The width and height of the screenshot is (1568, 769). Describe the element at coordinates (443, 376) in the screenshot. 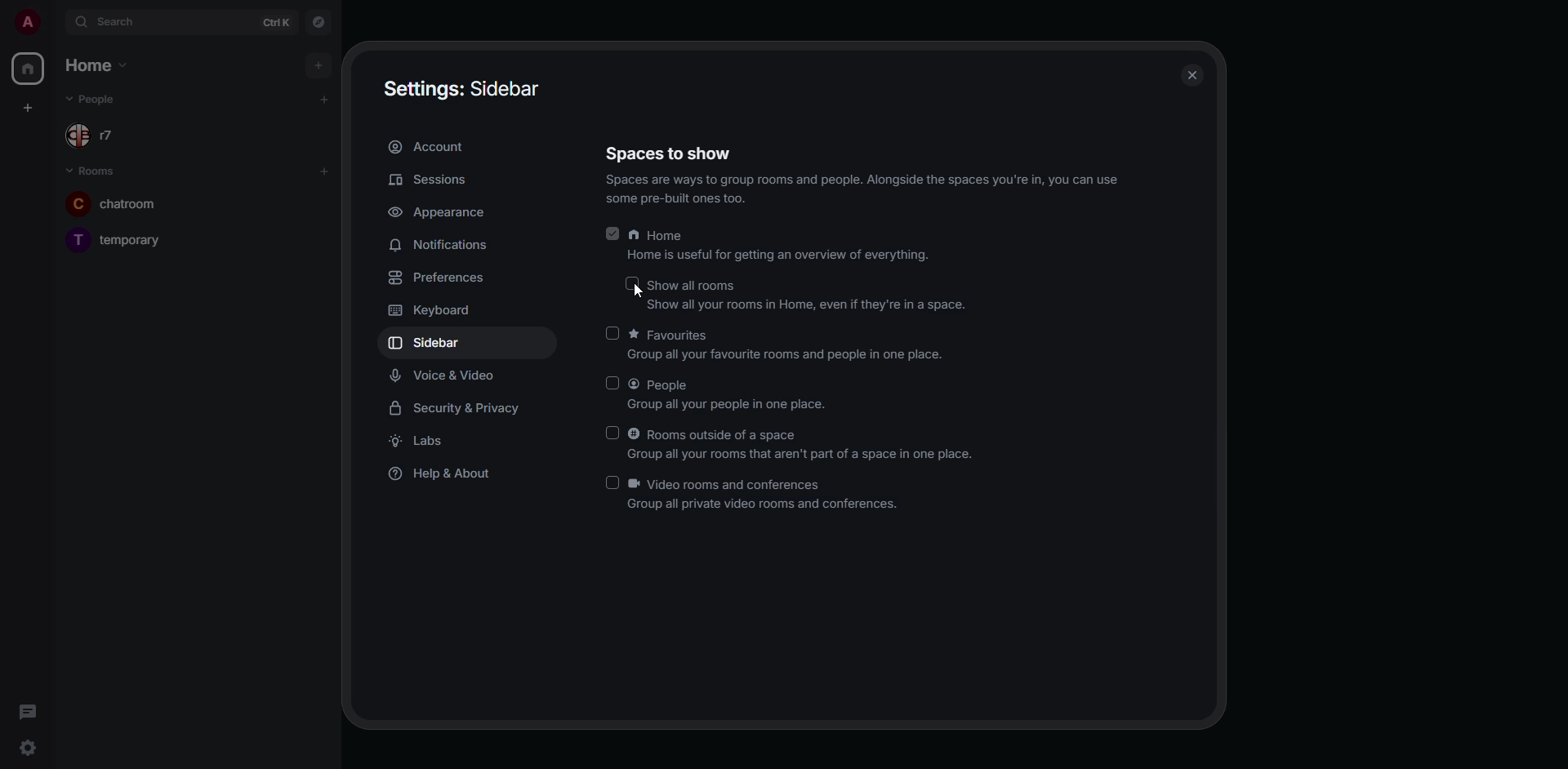

I see `voice & video` at that location.